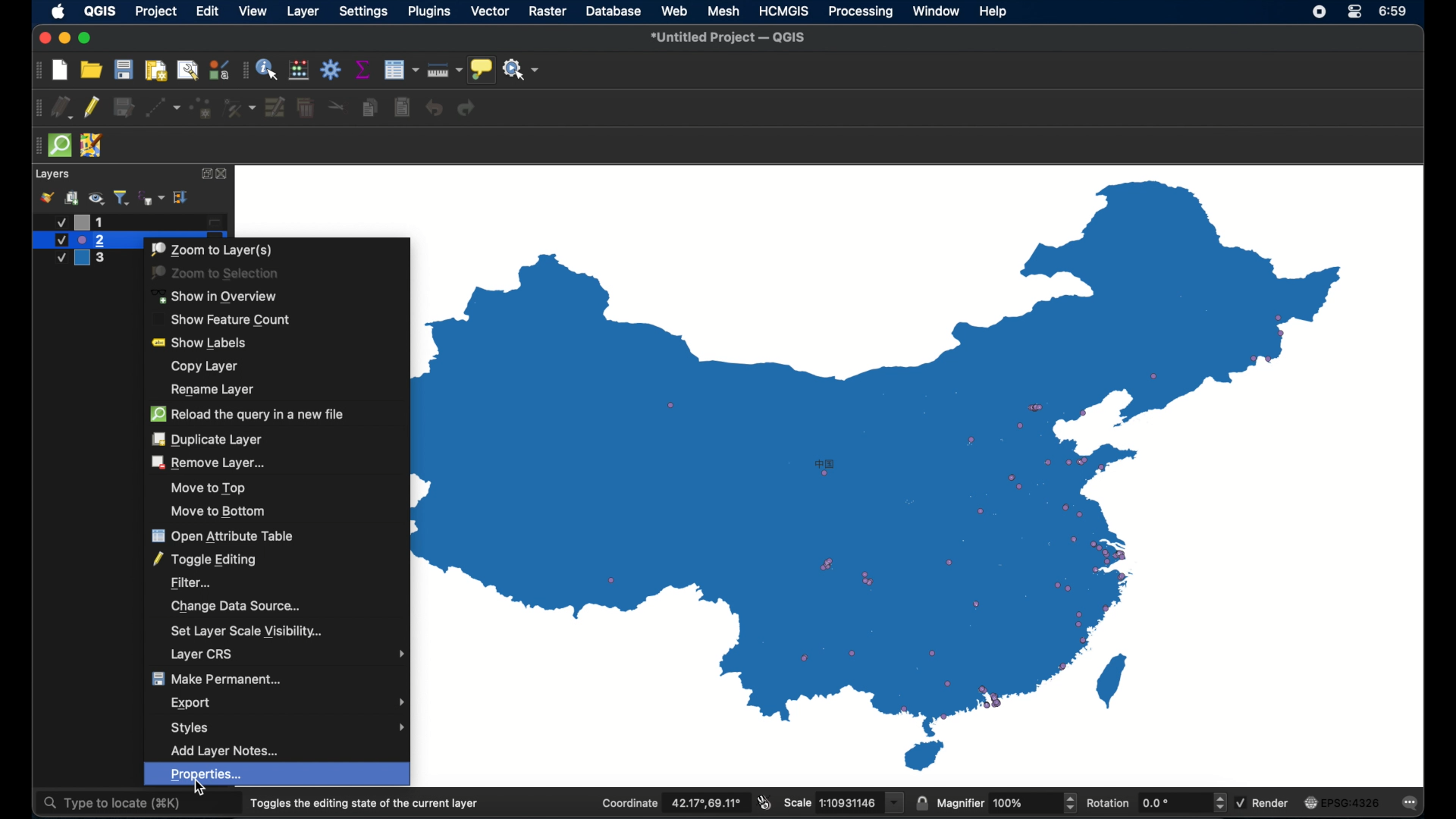 The image size is (1456, 819). Describe the element at coordinates (482, 70) in the screenshot. I see `show map tips` at that location.